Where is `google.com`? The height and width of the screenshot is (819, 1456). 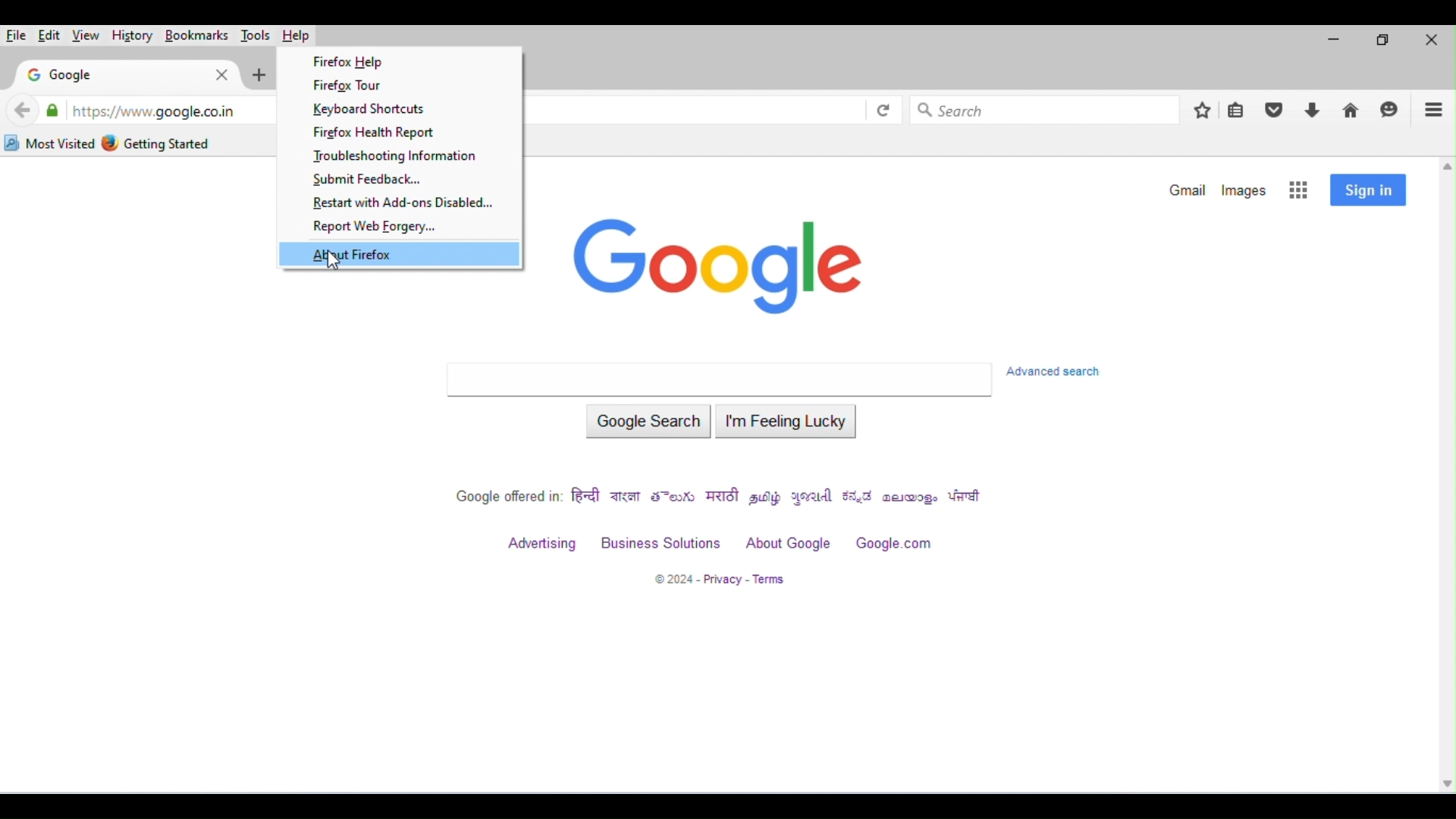
google.com is located at coordinates (896, 544).